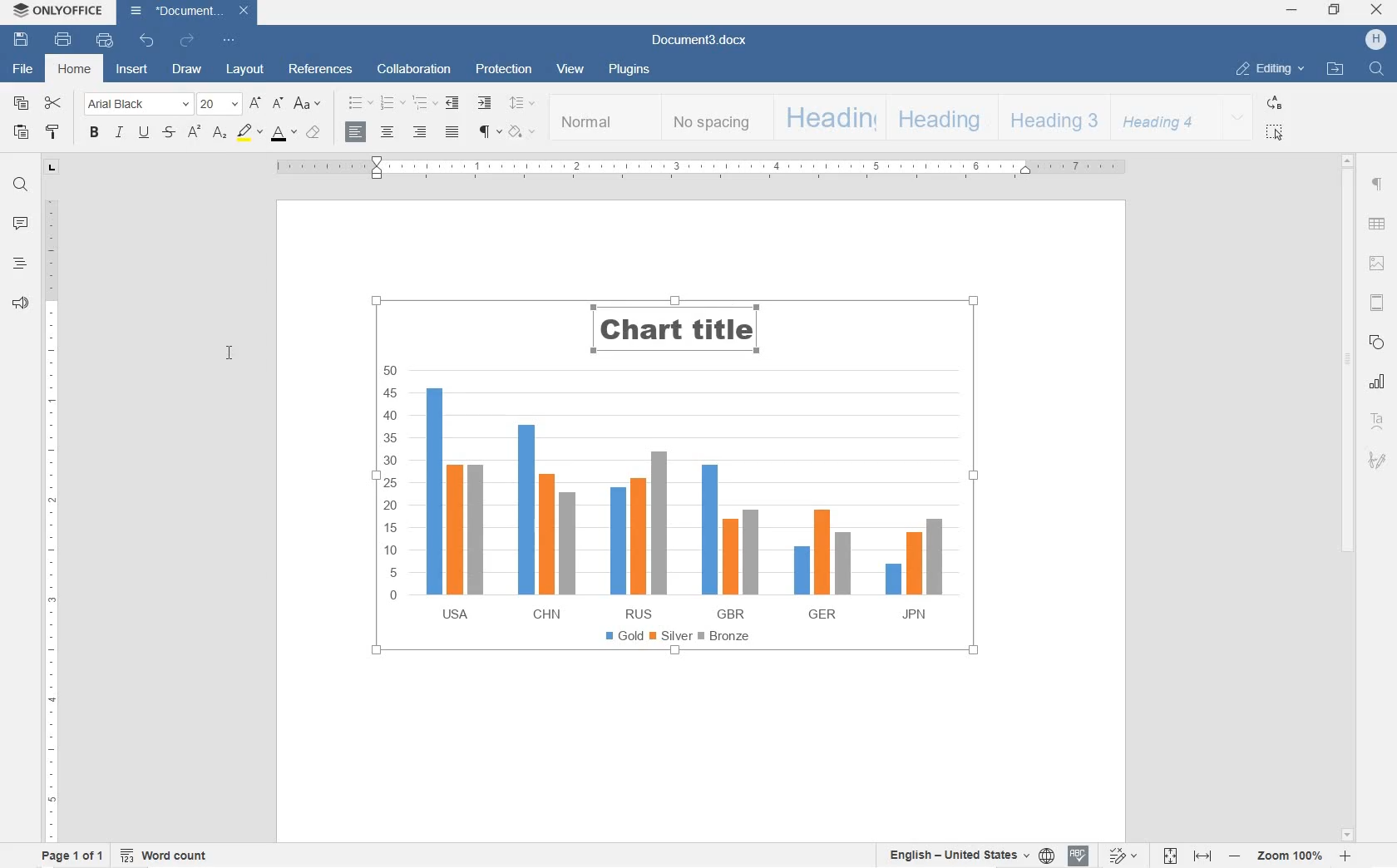 This screenshot has height=868, width=1397. I want to click on DRAW, so click(187, 71).